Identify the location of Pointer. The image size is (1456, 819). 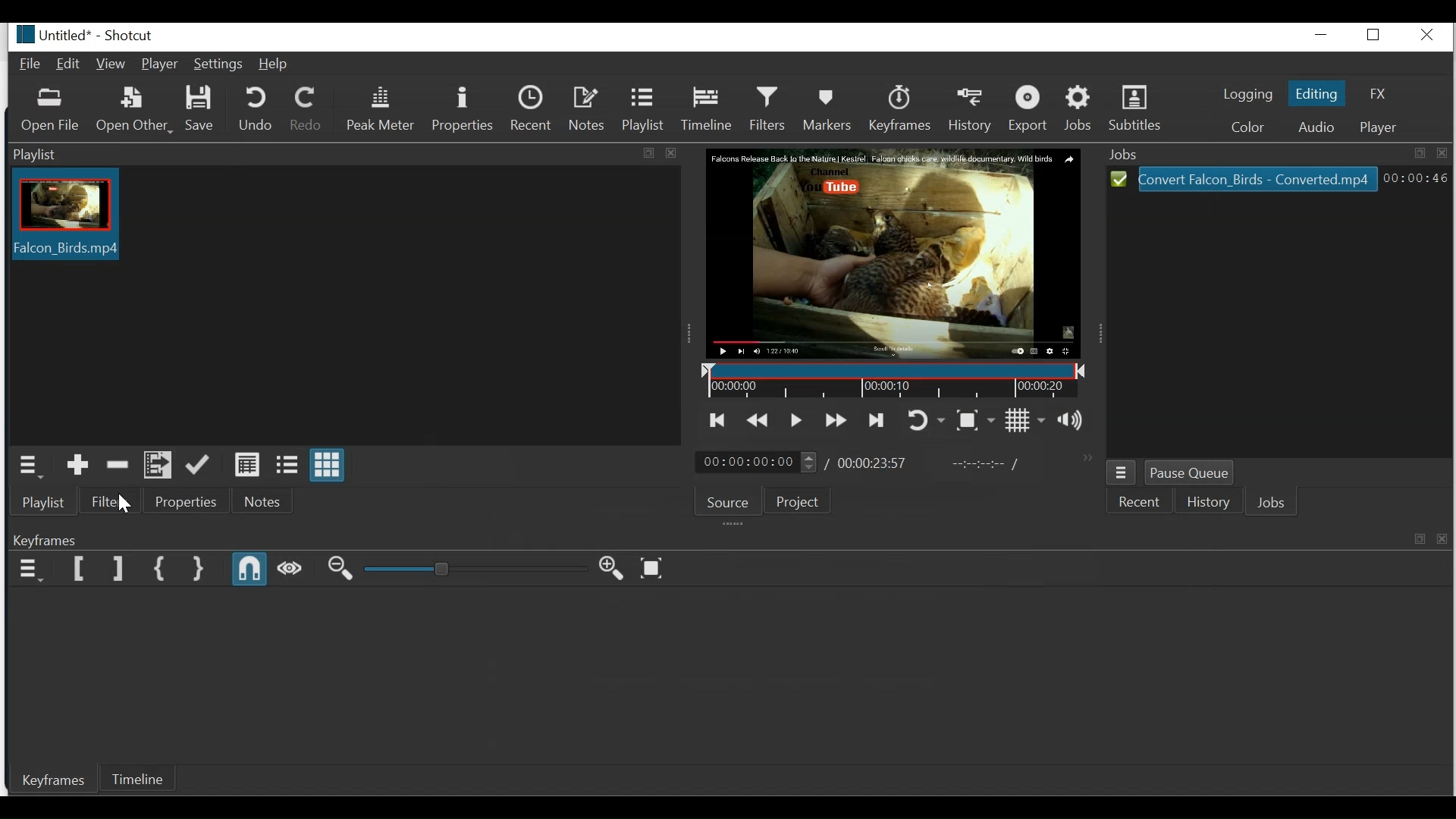
(127, 506).